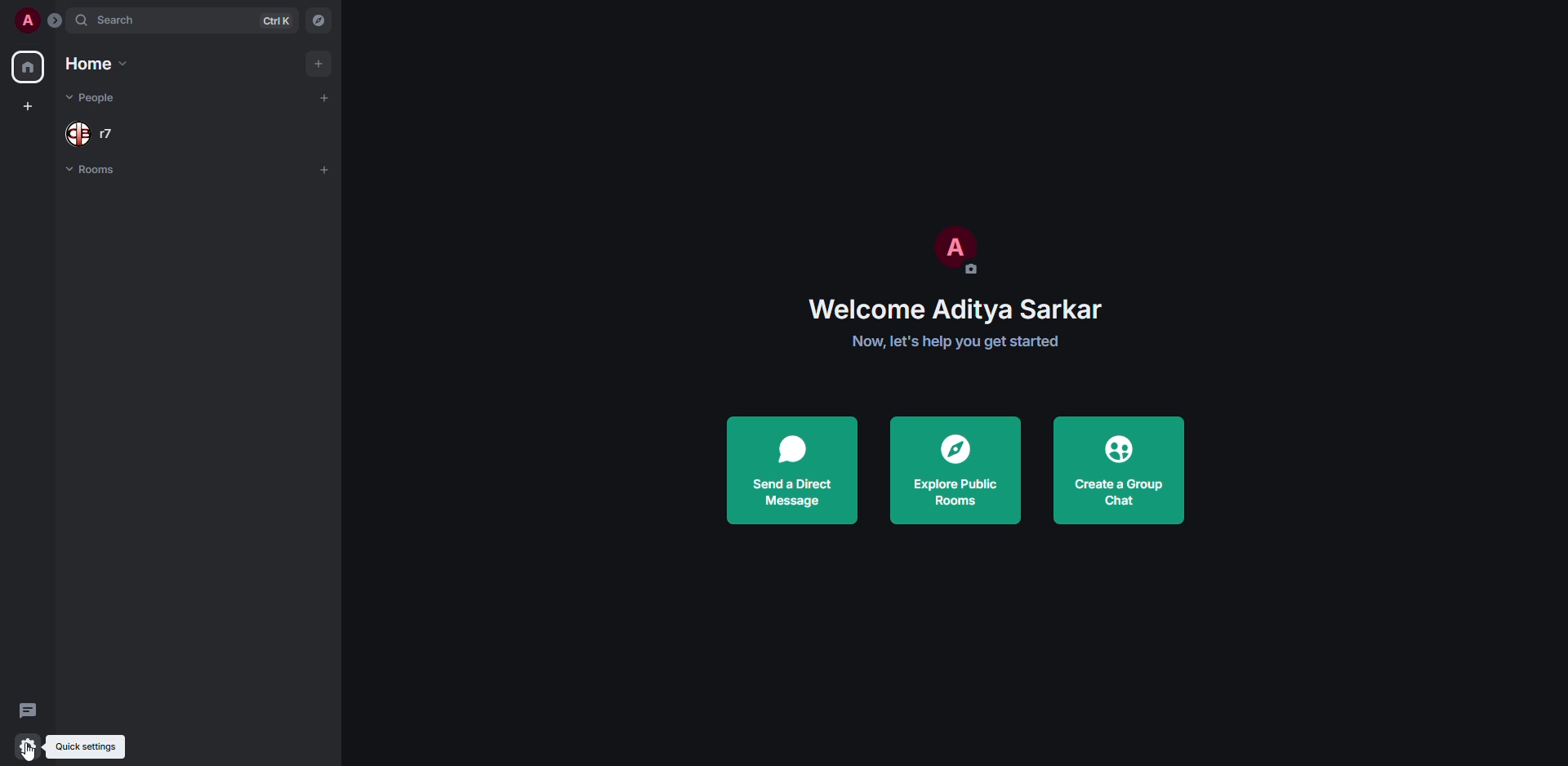  I want to click on profile pic, so click(953, 248).